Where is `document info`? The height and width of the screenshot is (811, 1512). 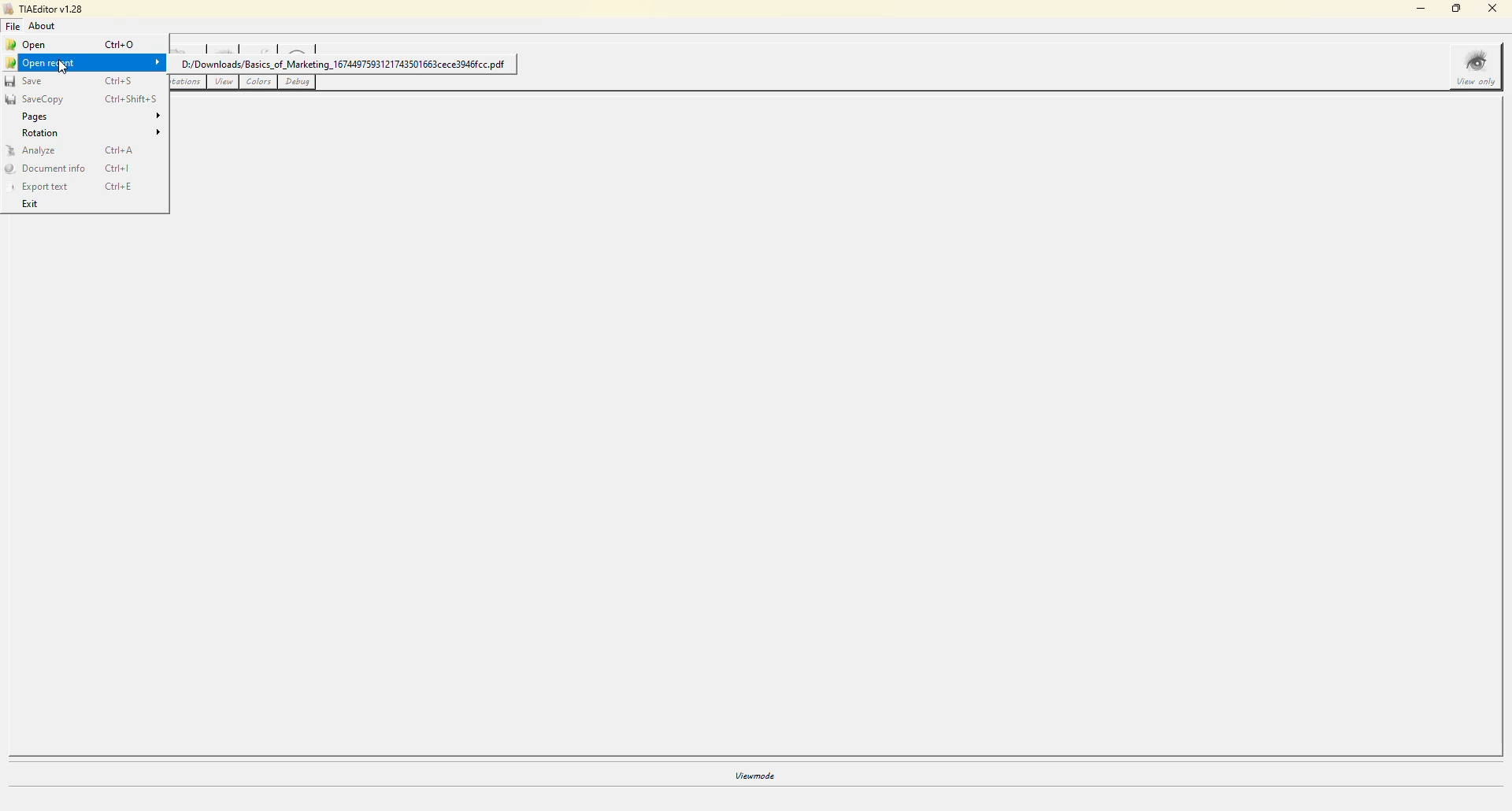 document info is located at coordinates (53, 168).